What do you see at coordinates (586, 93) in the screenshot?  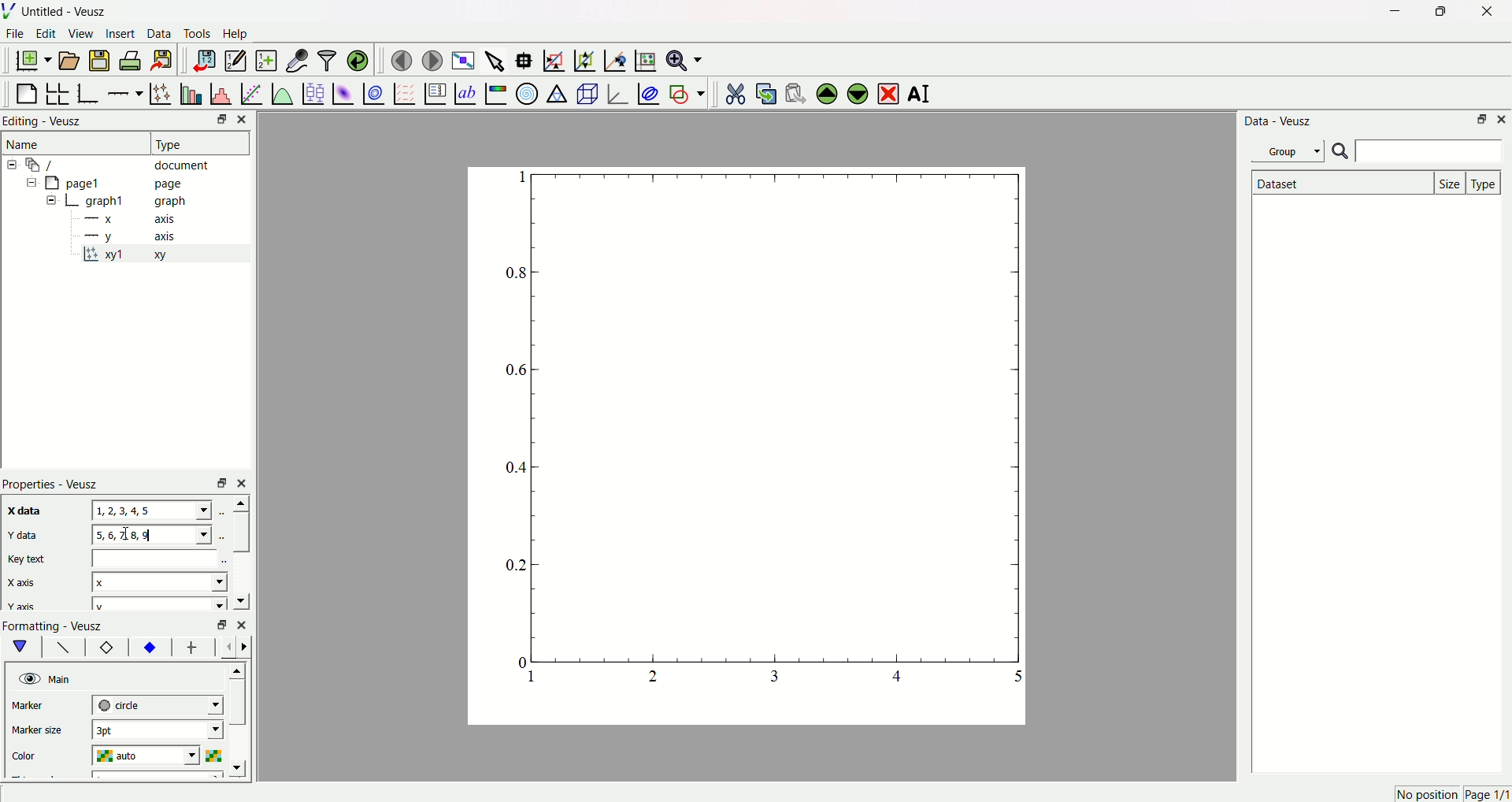 I see `3d scenes` at bounding box center [586, 93].